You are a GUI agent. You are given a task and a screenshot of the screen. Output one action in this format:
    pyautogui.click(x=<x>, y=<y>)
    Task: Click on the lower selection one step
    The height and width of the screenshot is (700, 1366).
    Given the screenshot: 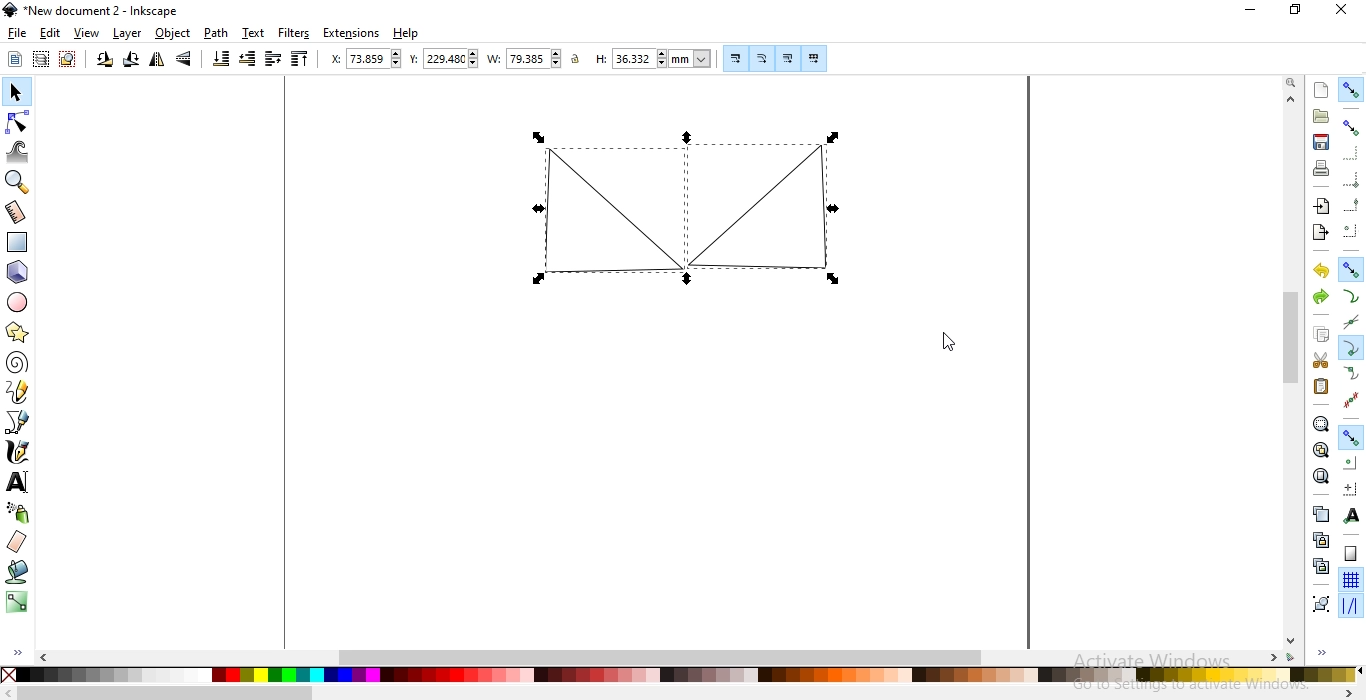 What is the action you would take?
    pyautogui.click(x=248, y=60)
    